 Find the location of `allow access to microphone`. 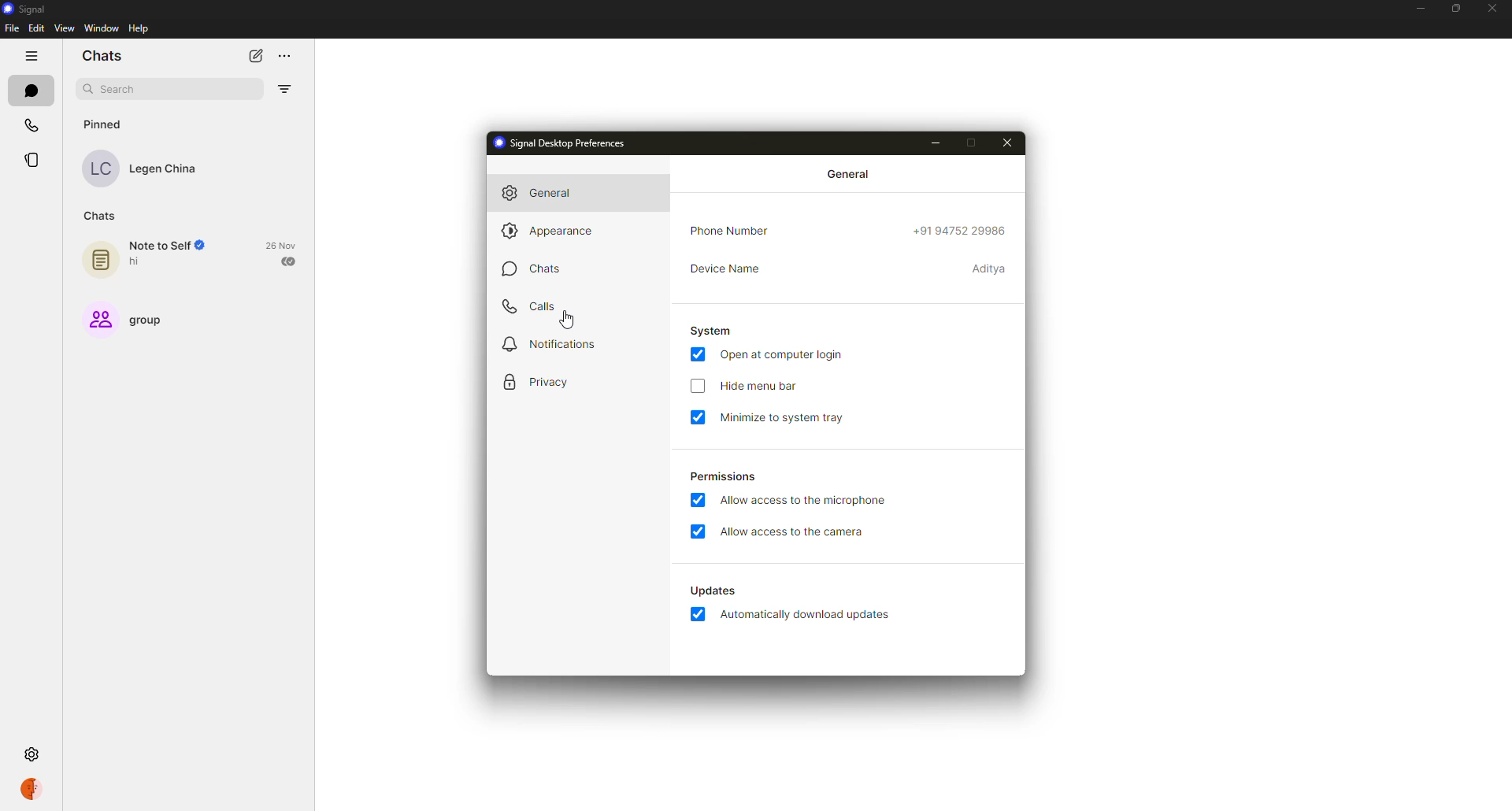

allow access to microphone is located at coordinates (808, 499).